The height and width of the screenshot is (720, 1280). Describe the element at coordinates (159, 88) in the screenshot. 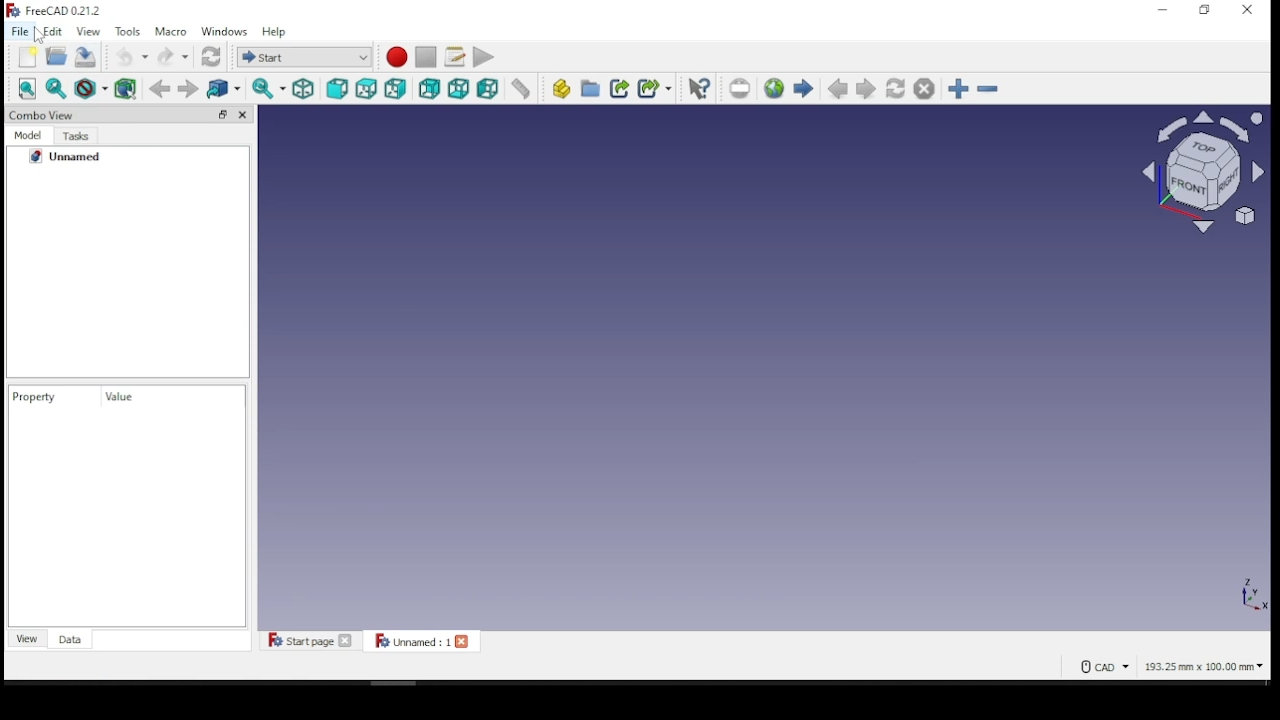

I see `back` at that location.